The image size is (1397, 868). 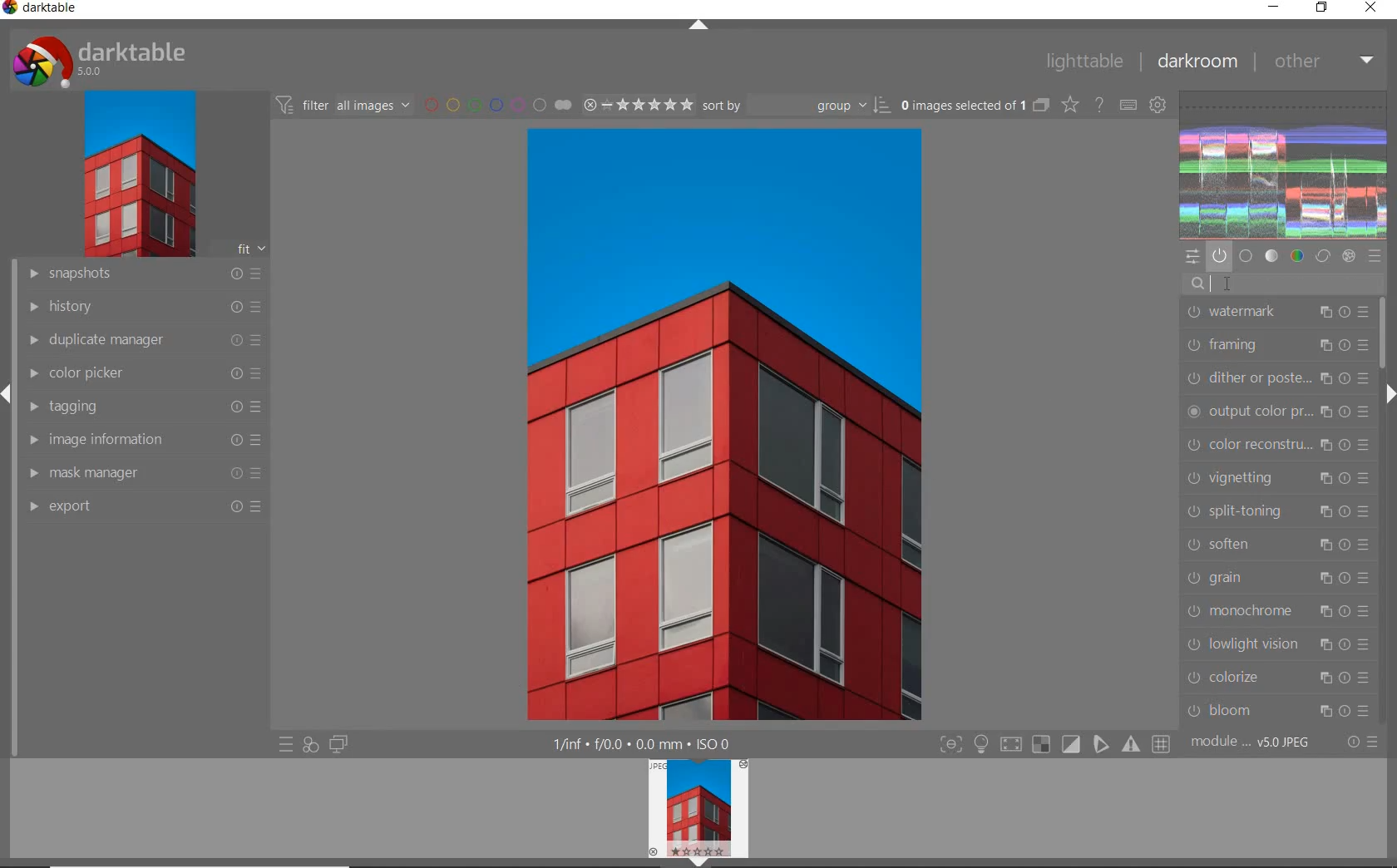 What do you see at coordinates (1322, 257) in the screenshot?
I see `correct ` at bounding box center [1322, 257].